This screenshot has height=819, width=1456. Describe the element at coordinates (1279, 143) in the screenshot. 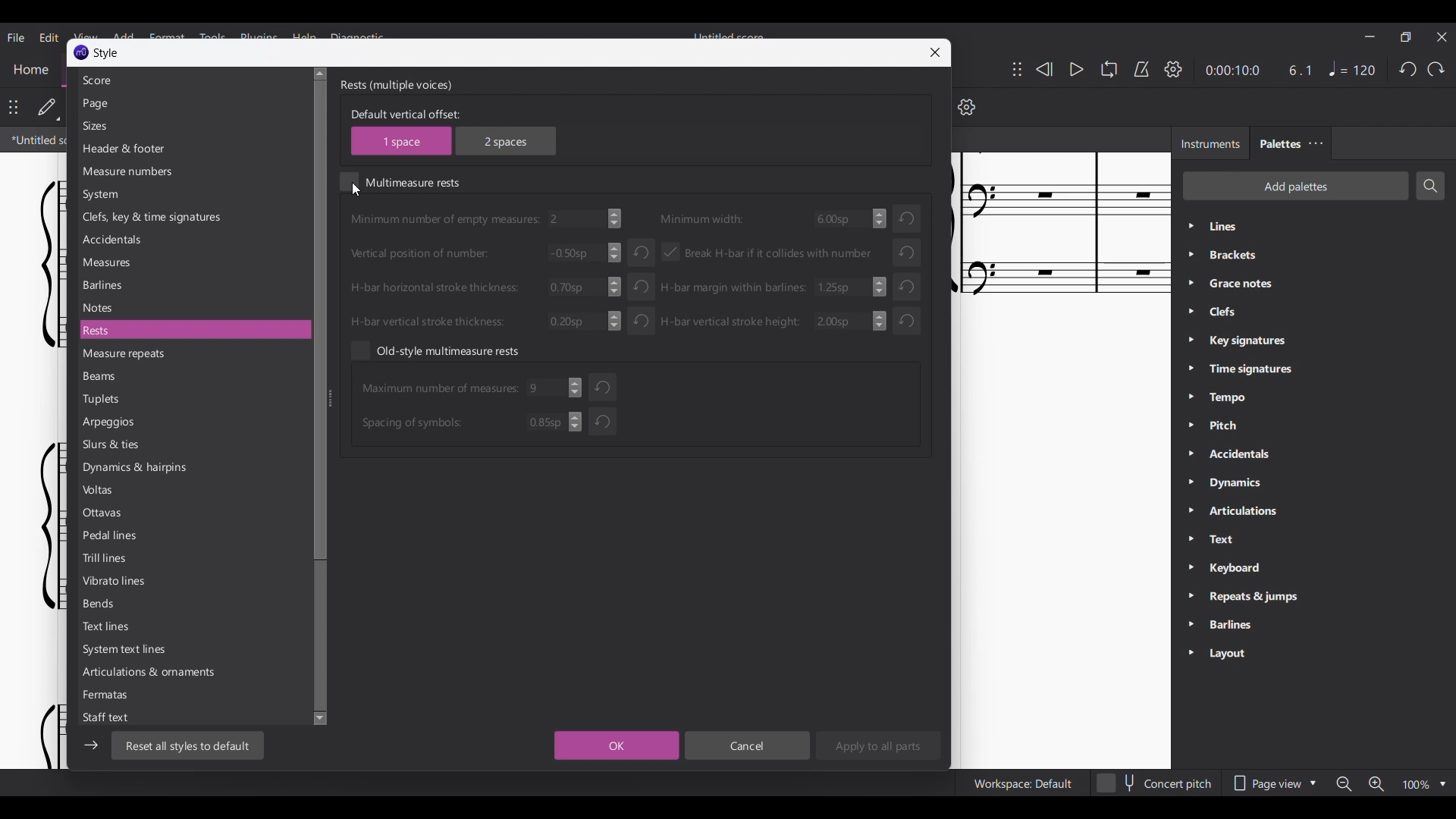

I see `Palettes, current tab` at that location.